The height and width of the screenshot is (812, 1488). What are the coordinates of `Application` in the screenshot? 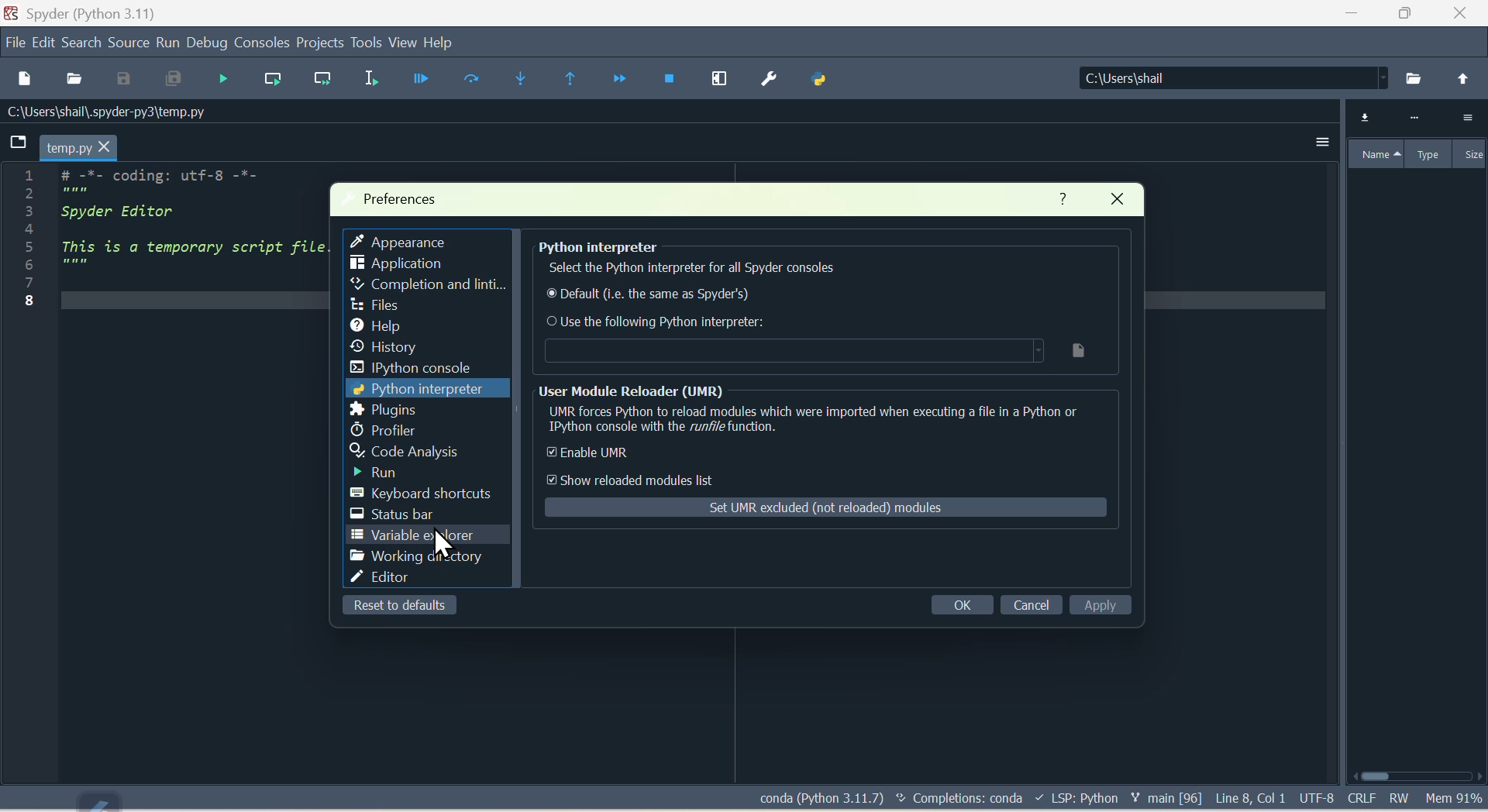 It's located at (391, 263).